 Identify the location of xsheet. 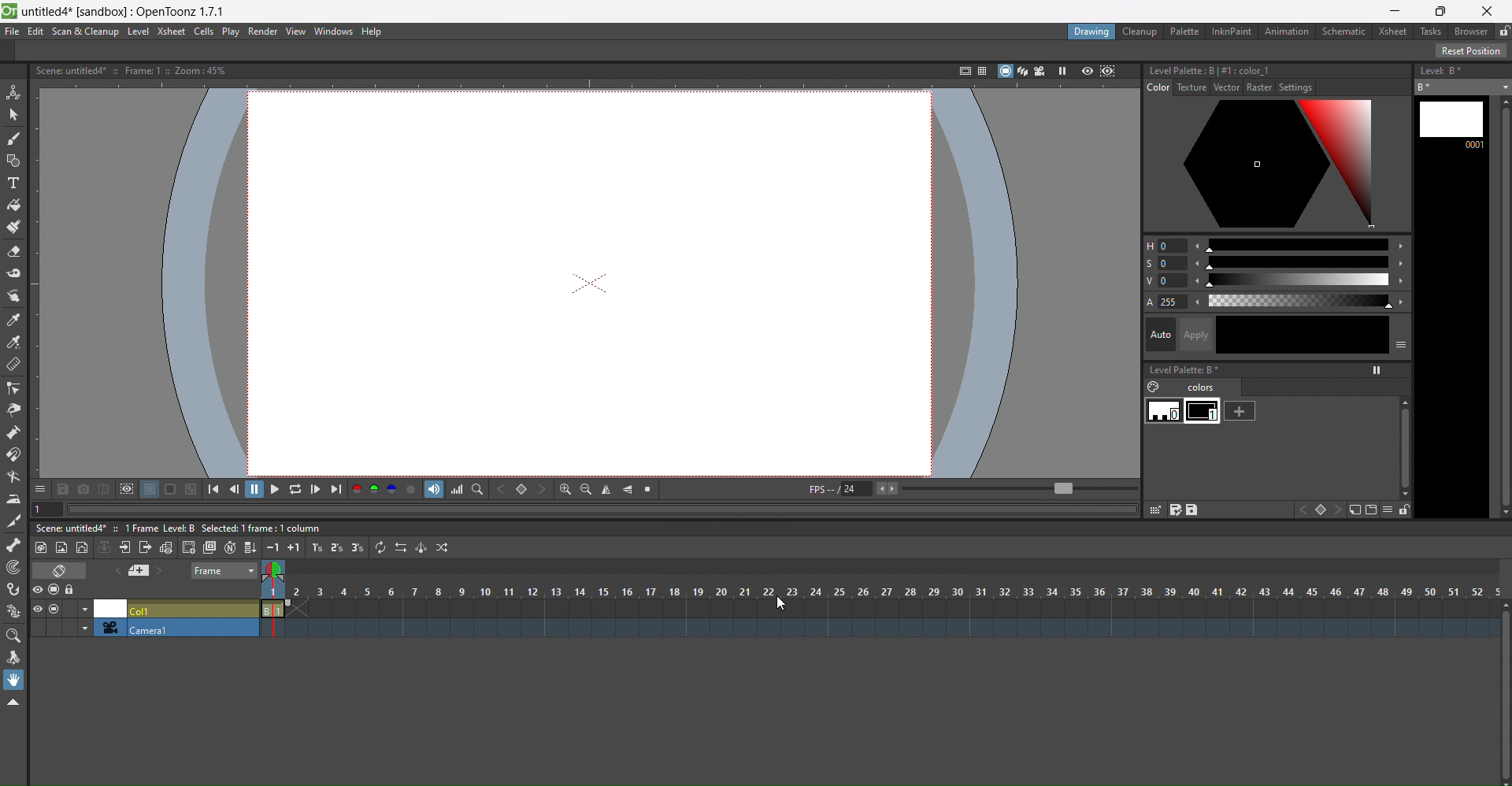
(172, 32).